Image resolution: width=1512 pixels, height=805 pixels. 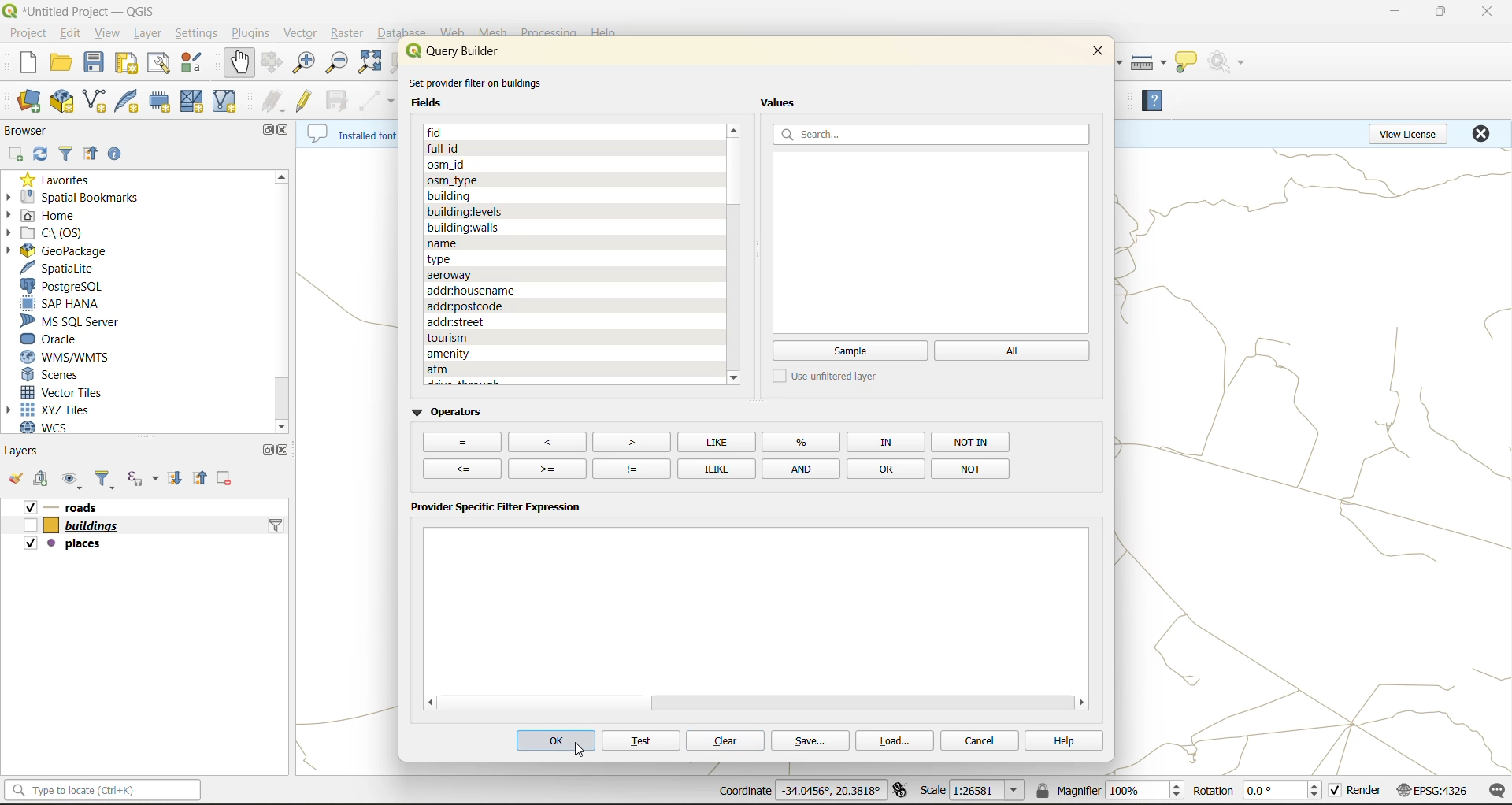 What do you see at coordinates (98, 62) in the screenshot?
I see `save` at bounding box center [98, 62].